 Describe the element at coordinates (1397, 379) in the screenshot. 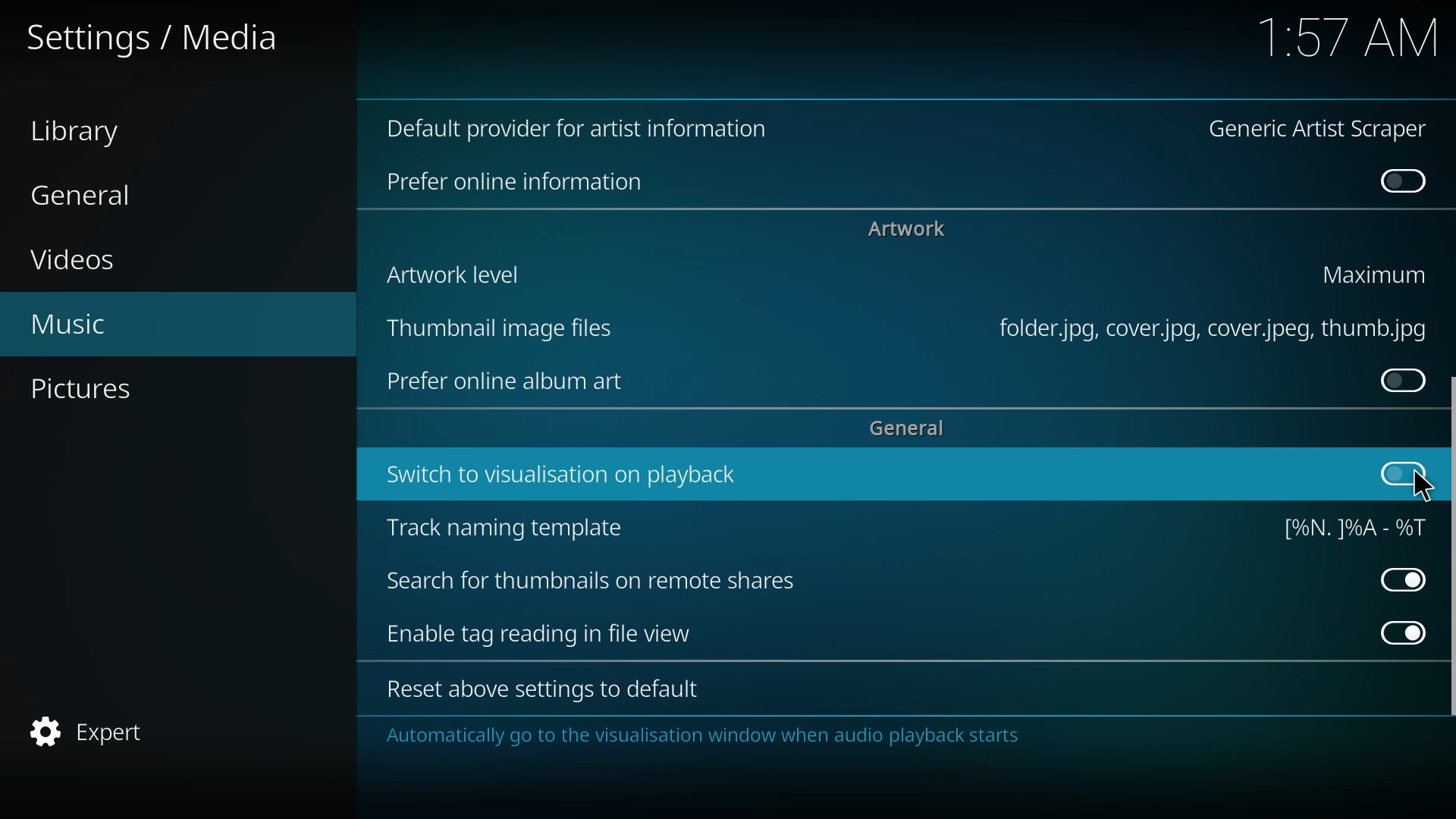

I see `click to enable` at that location.